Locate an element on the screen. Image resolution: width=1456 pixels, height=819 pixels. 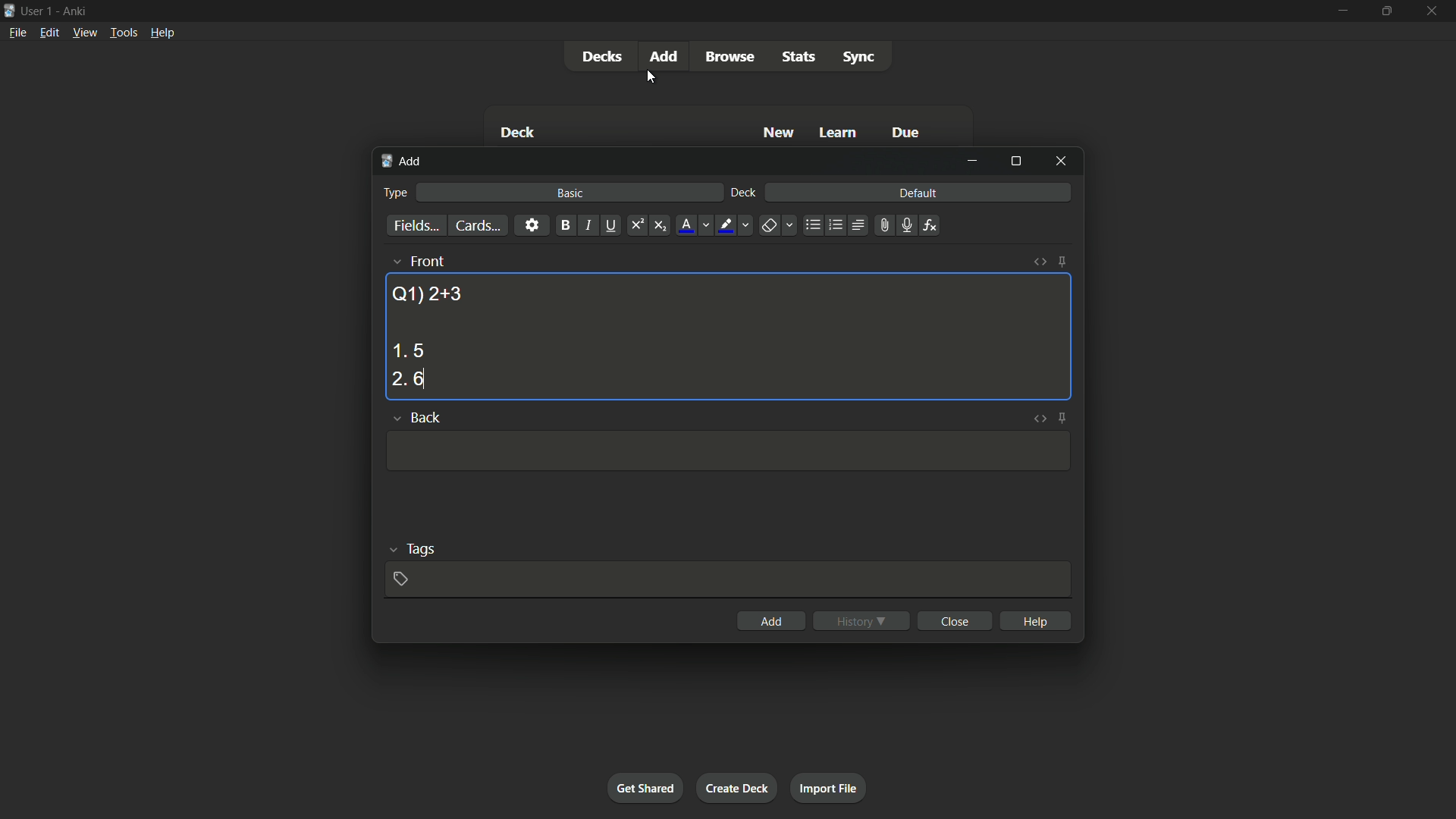
edit menu is located at coordinates (50, 32).